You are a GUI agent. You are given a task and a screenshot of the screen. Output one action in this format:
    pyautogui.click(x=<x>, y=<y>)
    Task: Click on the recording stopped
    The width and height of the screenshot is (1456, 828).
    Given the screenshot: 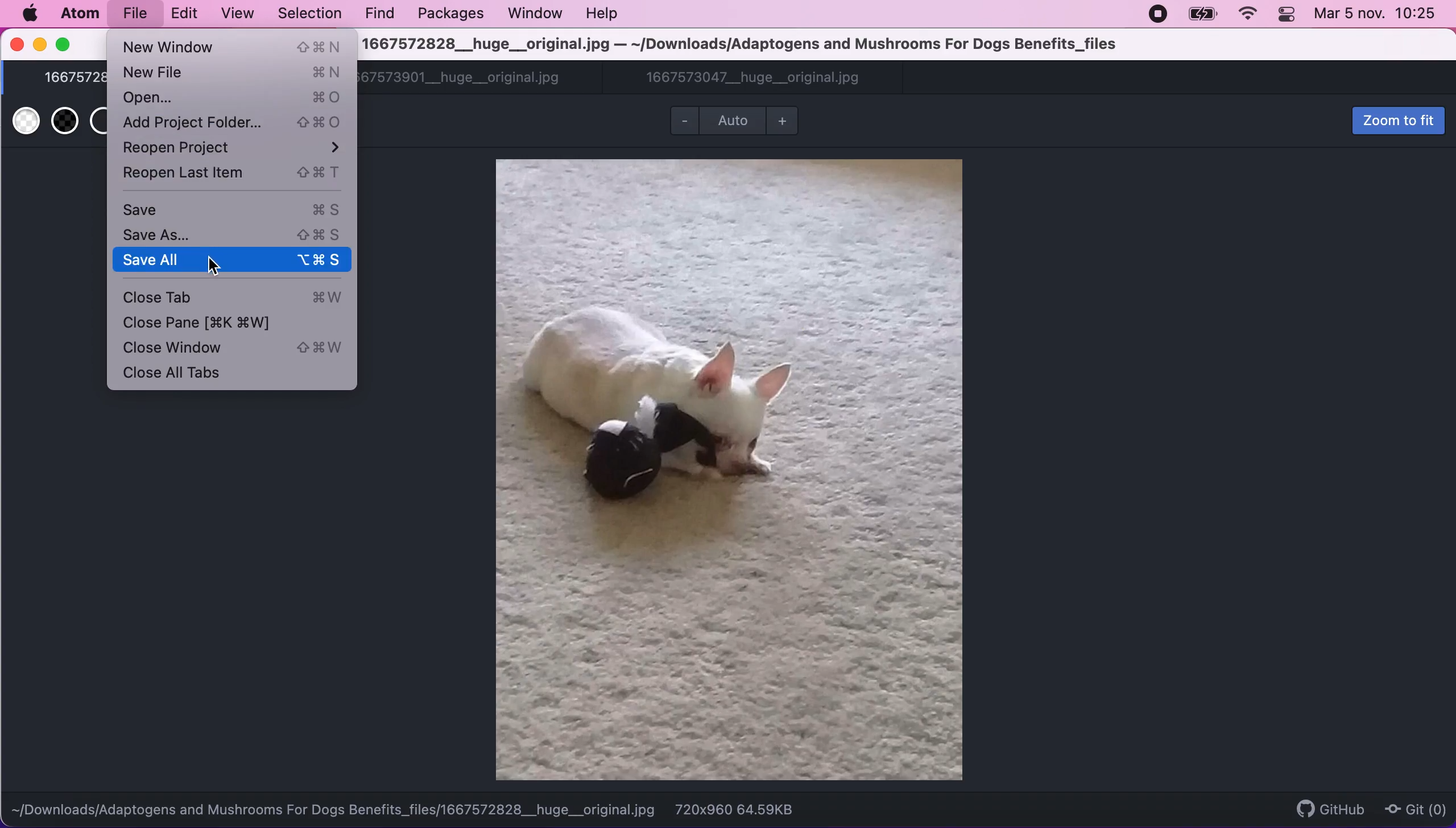 What is the action you would take?
    pyautogui.click(x=1159, y=14)
    